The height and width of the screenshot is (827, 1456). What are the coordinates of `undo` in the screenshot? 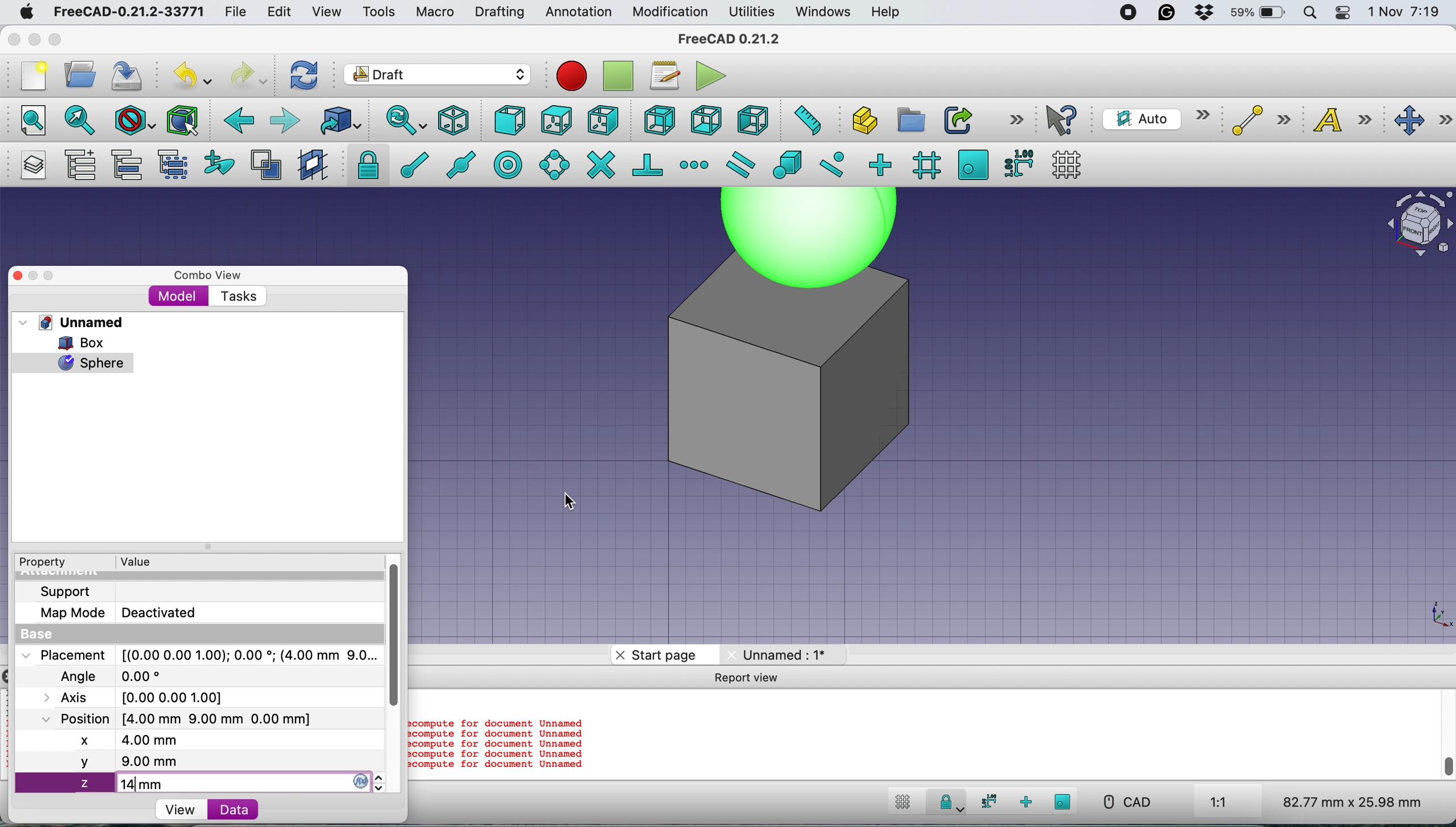 It's located at (194, 74).